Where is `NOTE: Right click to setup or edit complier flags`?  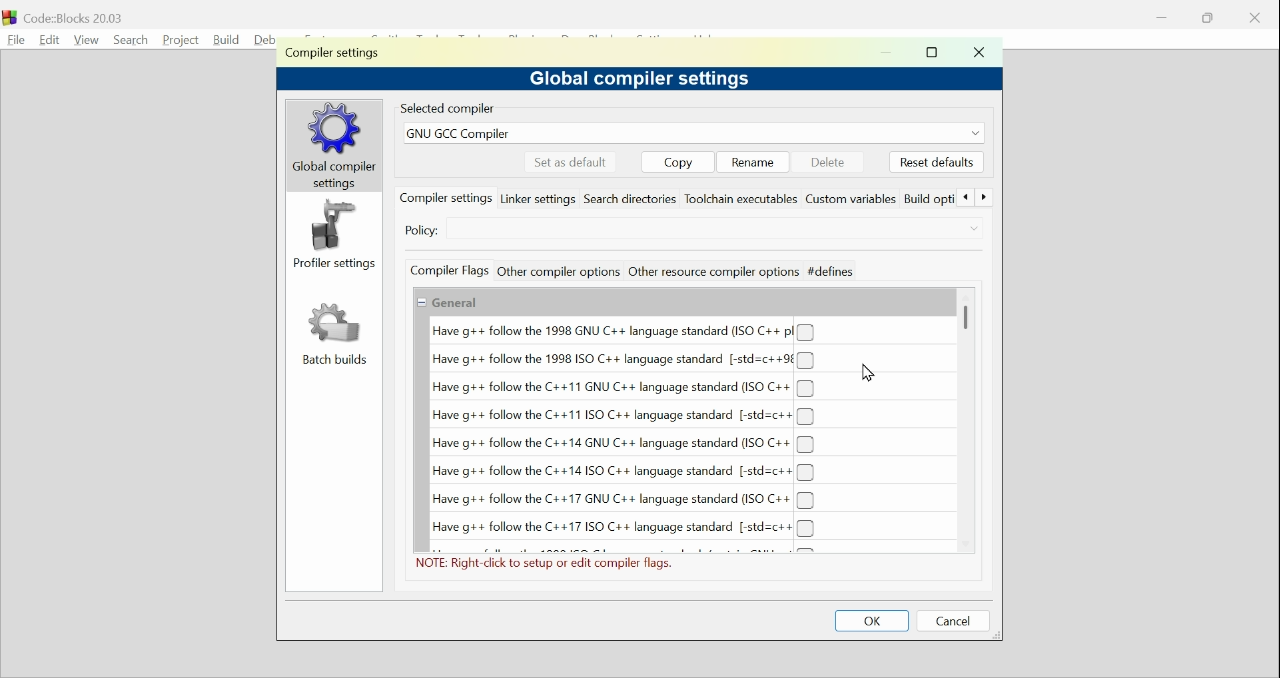
NOTE: Right click to setup or edit complier flags is located at coordinates (551, 564).